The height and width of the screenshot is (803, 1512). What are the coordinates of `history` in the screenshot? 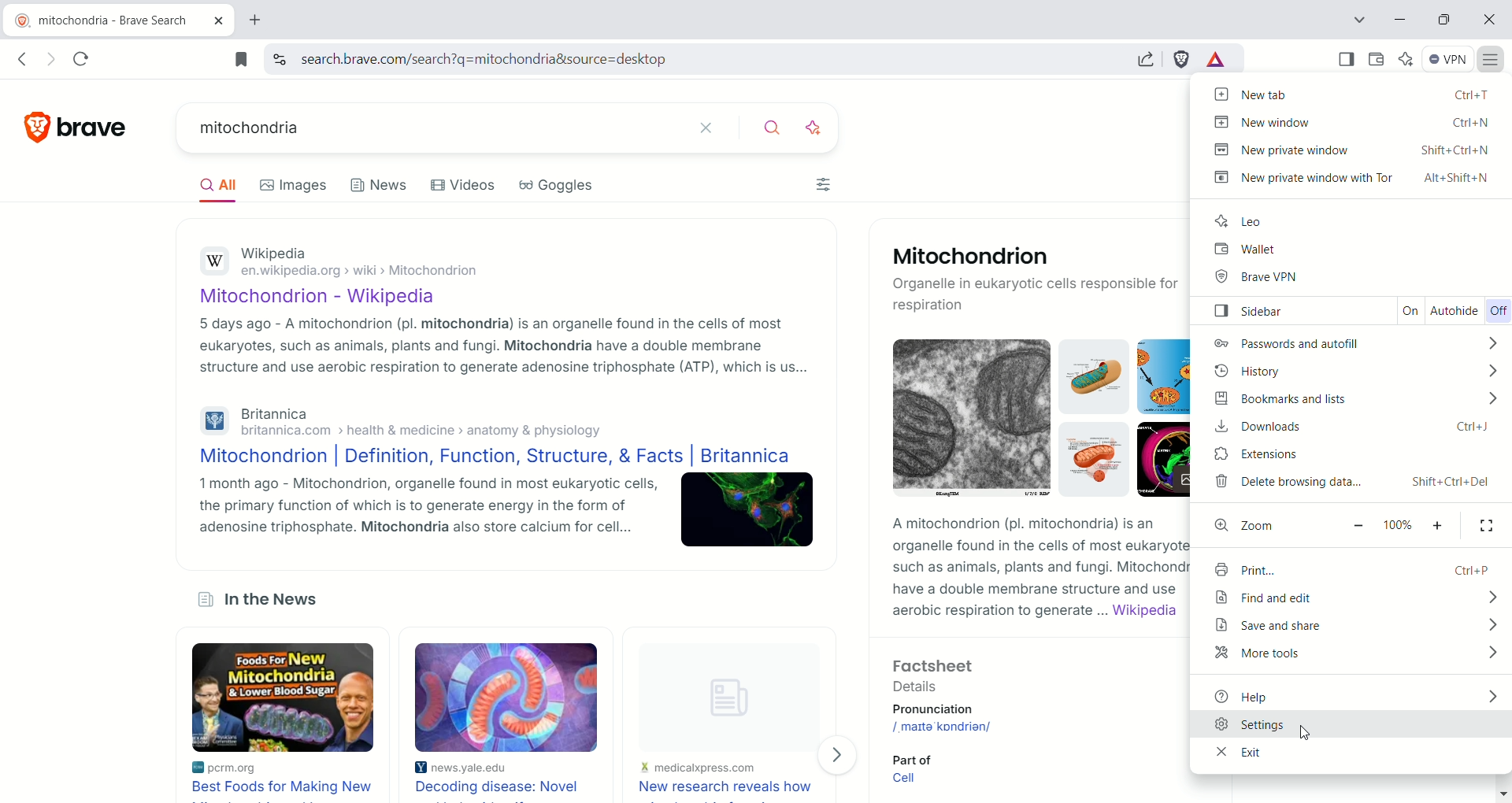 It's located at (1353, 373).